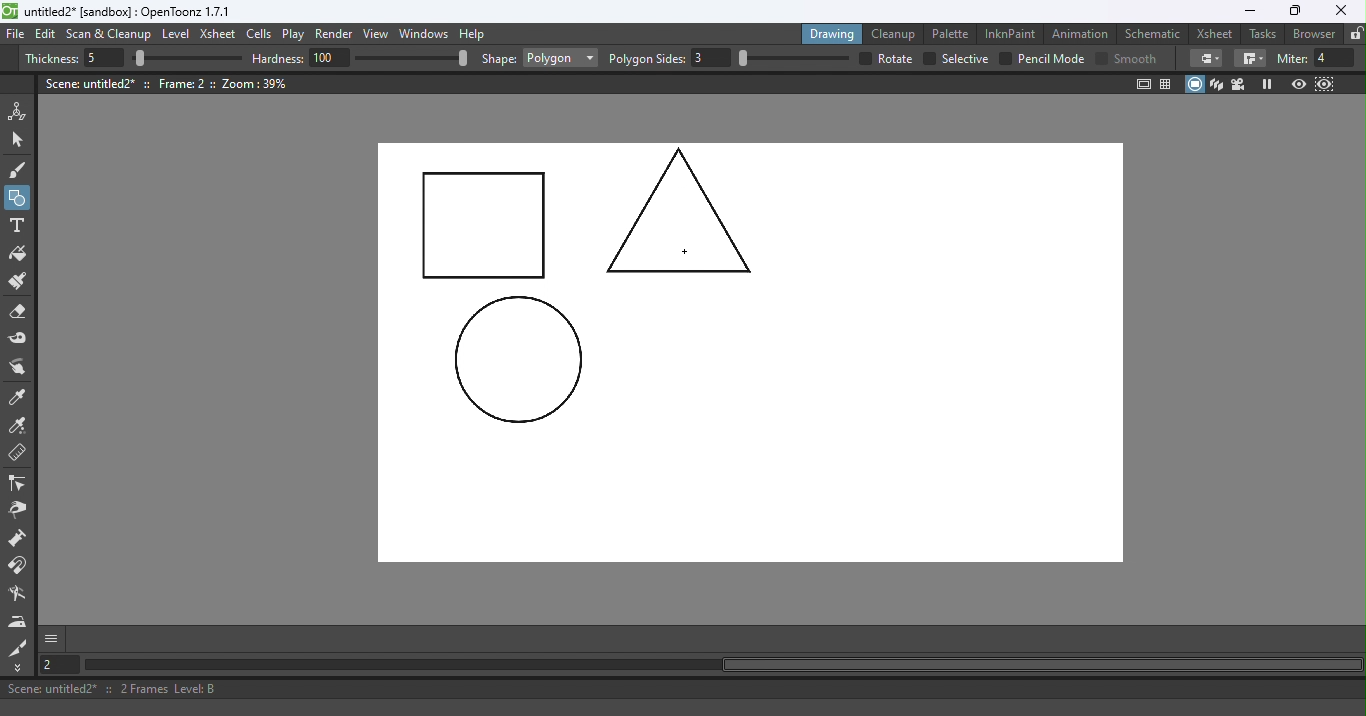 This screenshot has height=716, width=1366. What do you see at coordinates (1298, 85) in the screenshot?
I see `Preview` at bounding box center [1298, 85].